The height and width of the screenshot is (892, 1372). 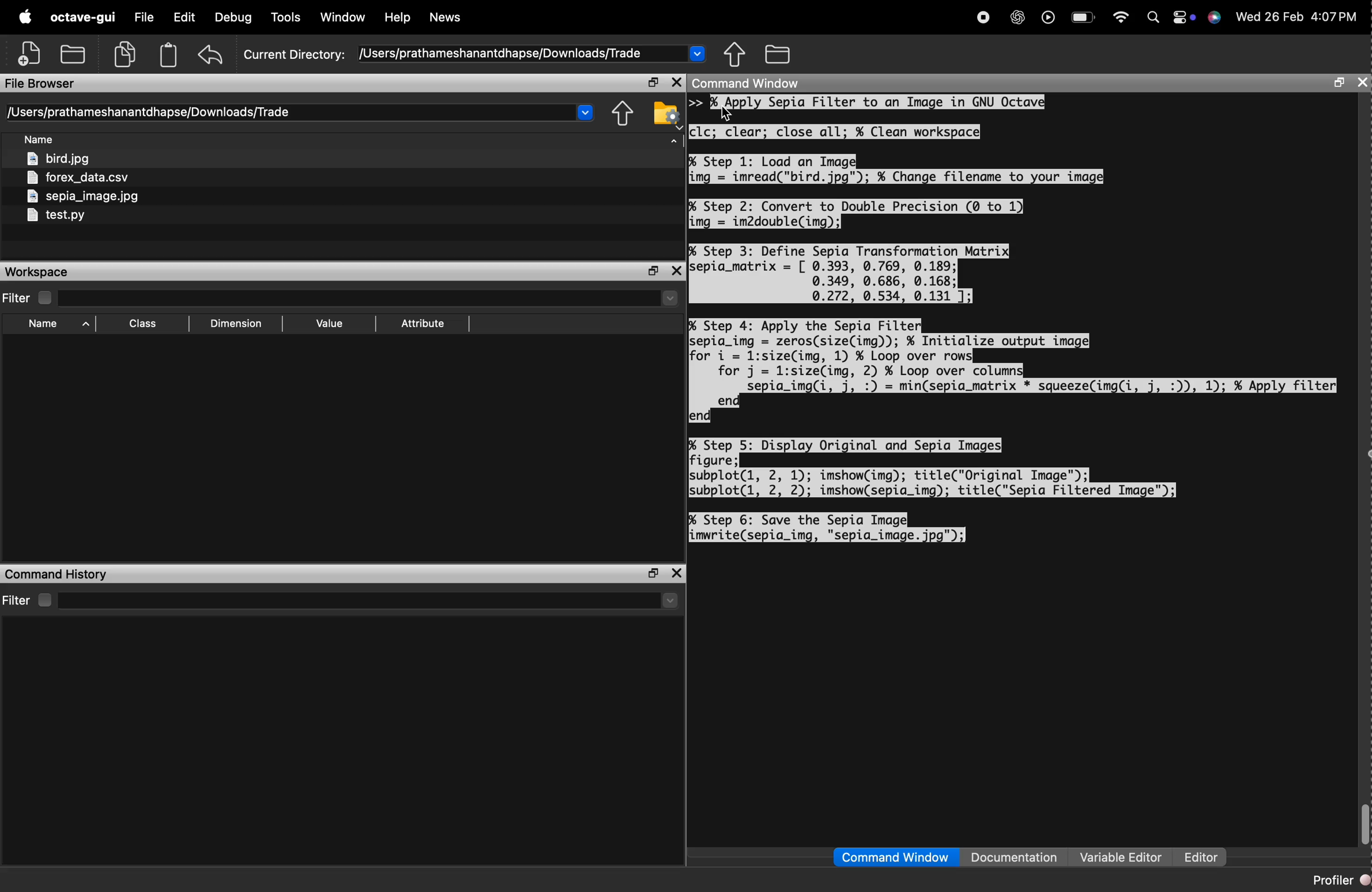 I want to click on share, so click(x=734, y=53).